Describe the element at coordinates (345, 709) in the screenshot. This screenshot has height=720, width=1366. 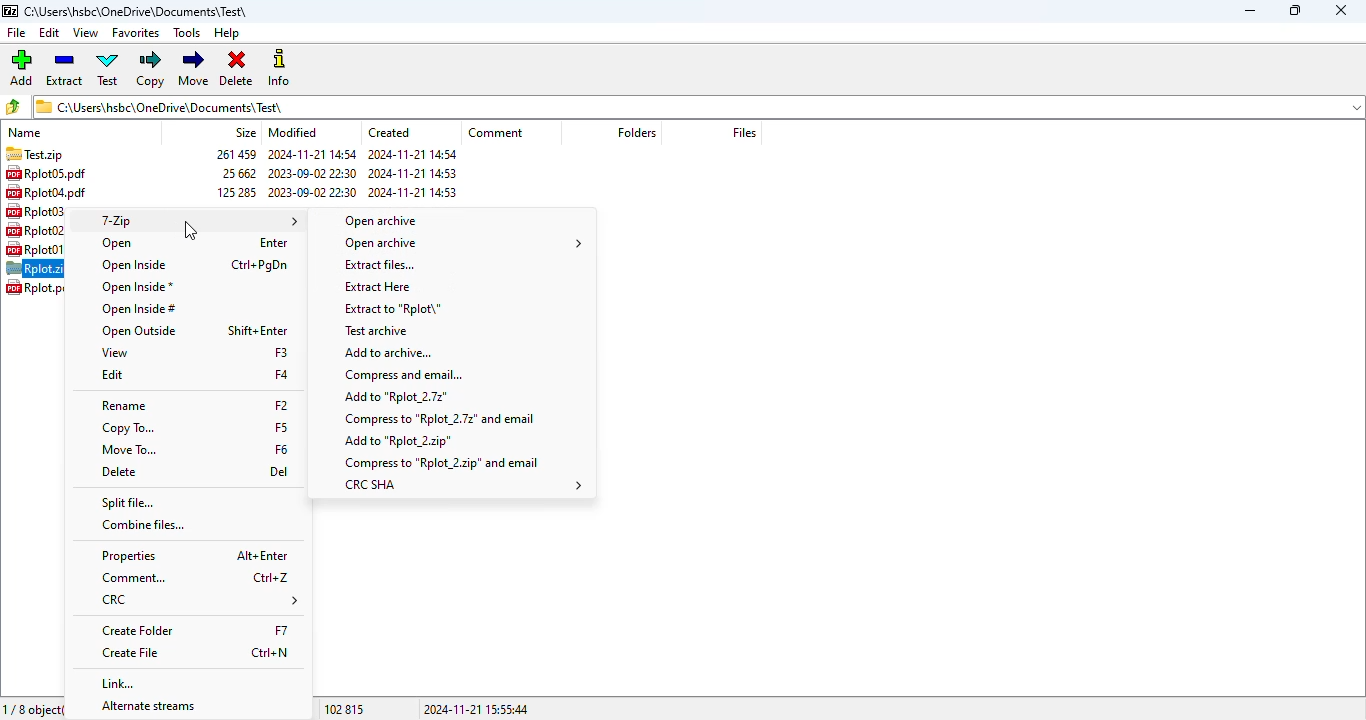
I see `102 815` at that location.